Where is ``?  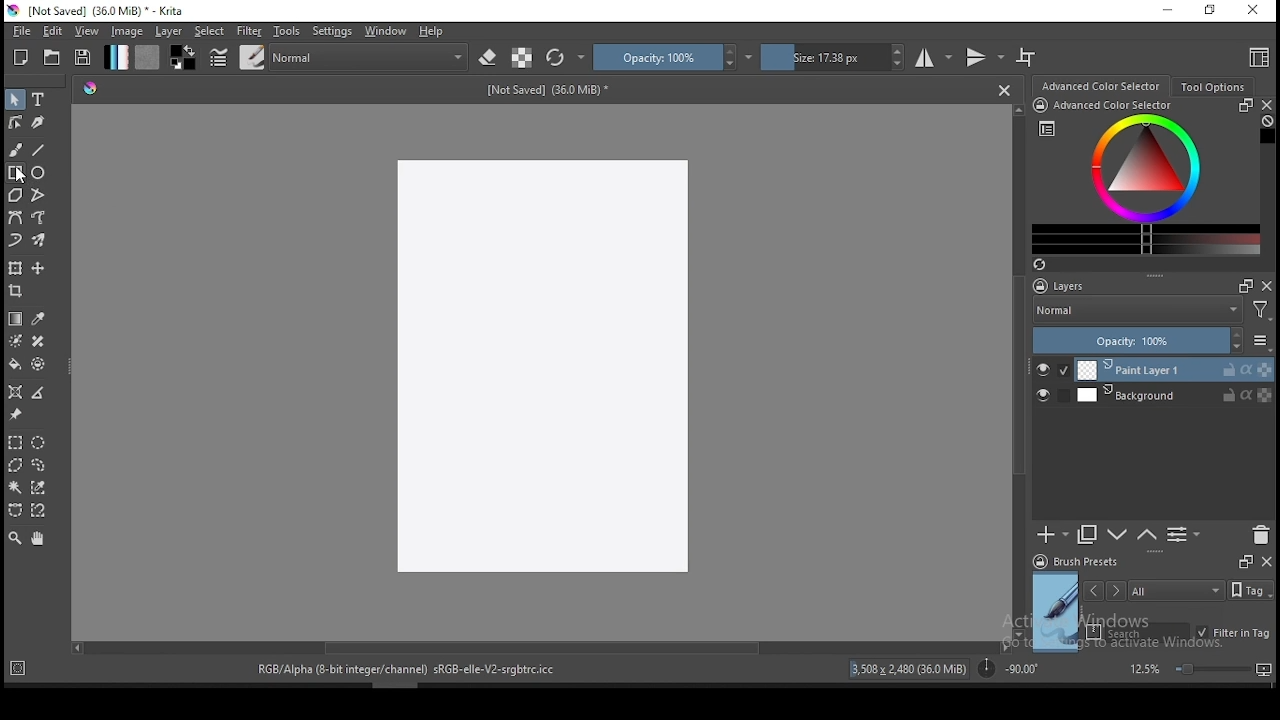
 is located at coordinates (985, 55).